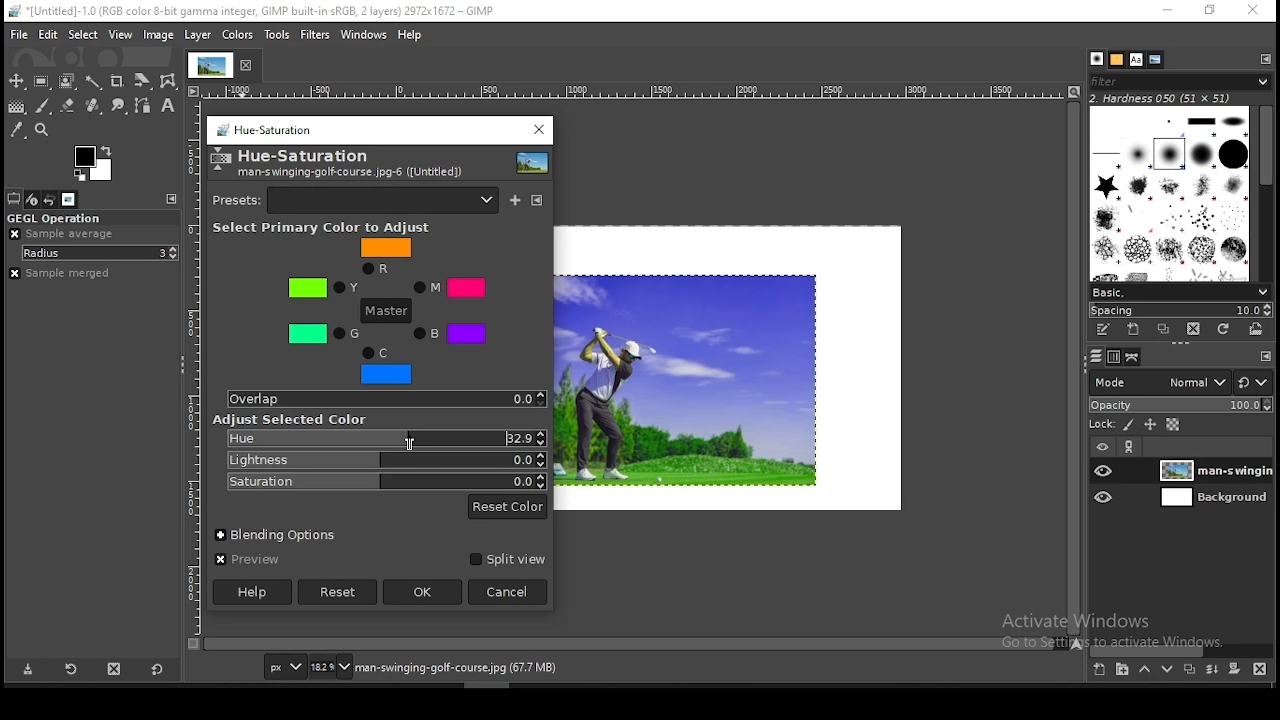 Image resolution: width=1280 pixels, height=720 pixels. I want to click on paths, so click(1136, 358).